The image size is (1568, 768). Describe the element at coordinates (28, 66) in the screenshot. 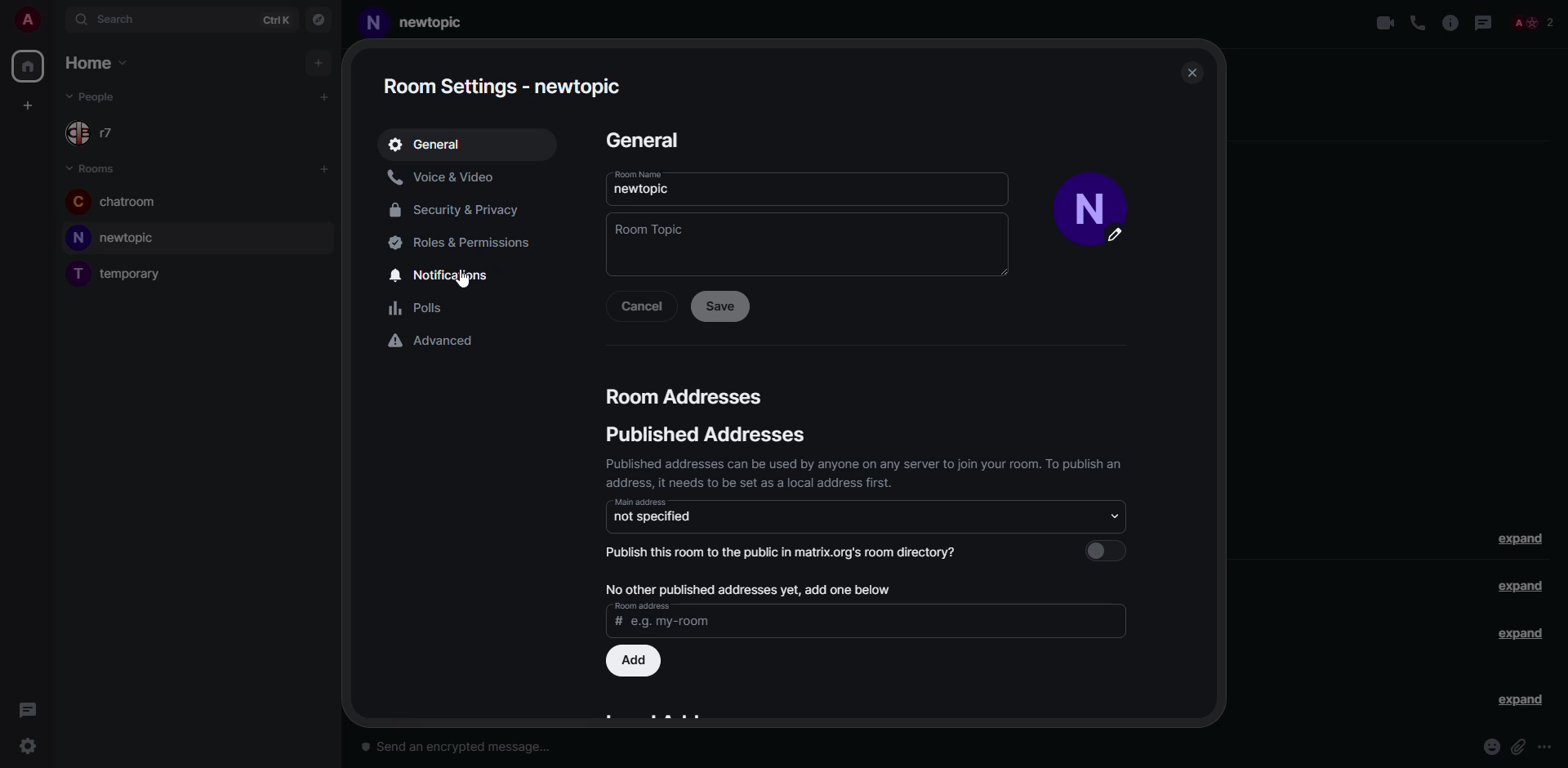

I see `home` at that location.